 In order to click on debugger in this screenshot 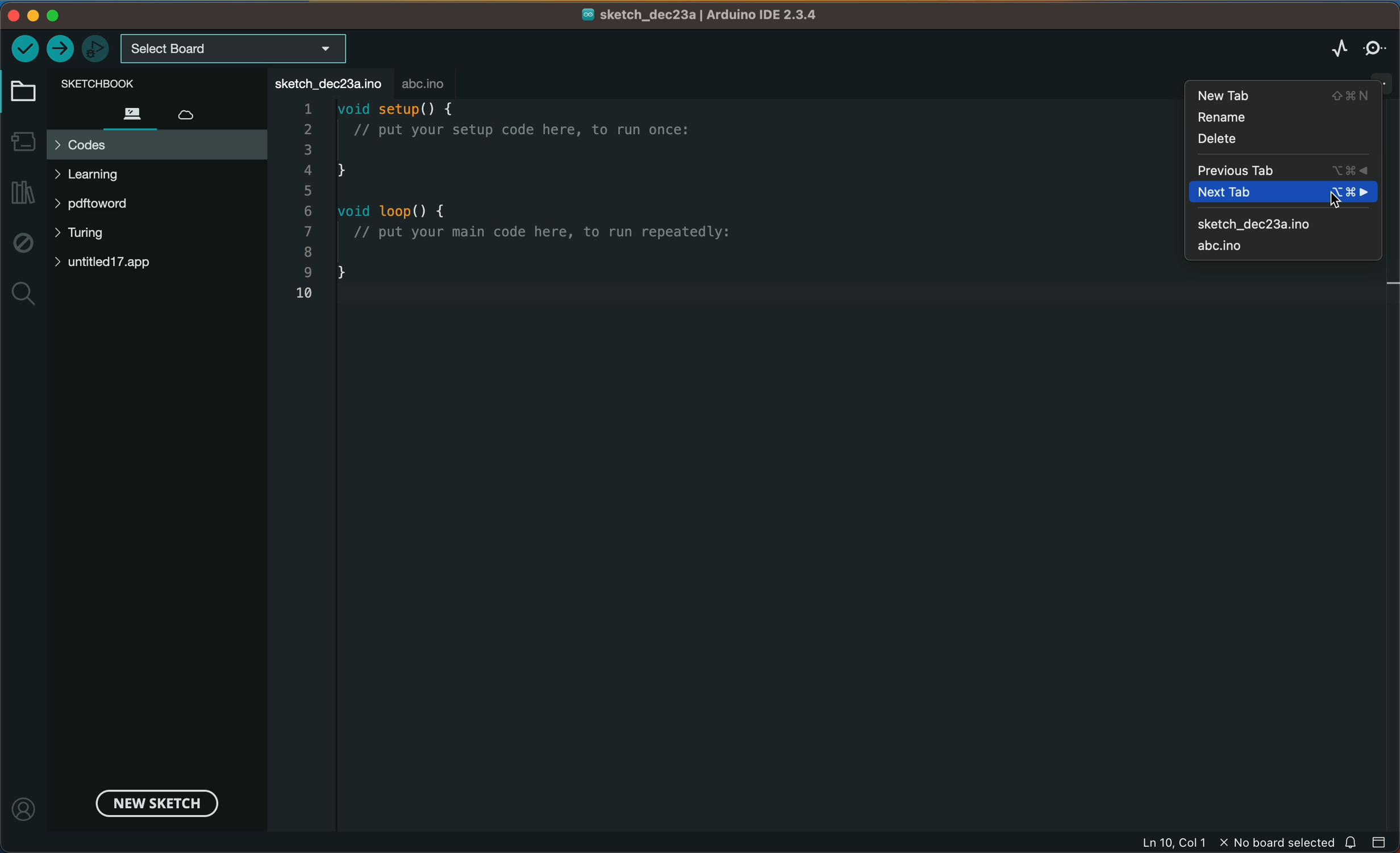, I will do `click(95, 48)`.